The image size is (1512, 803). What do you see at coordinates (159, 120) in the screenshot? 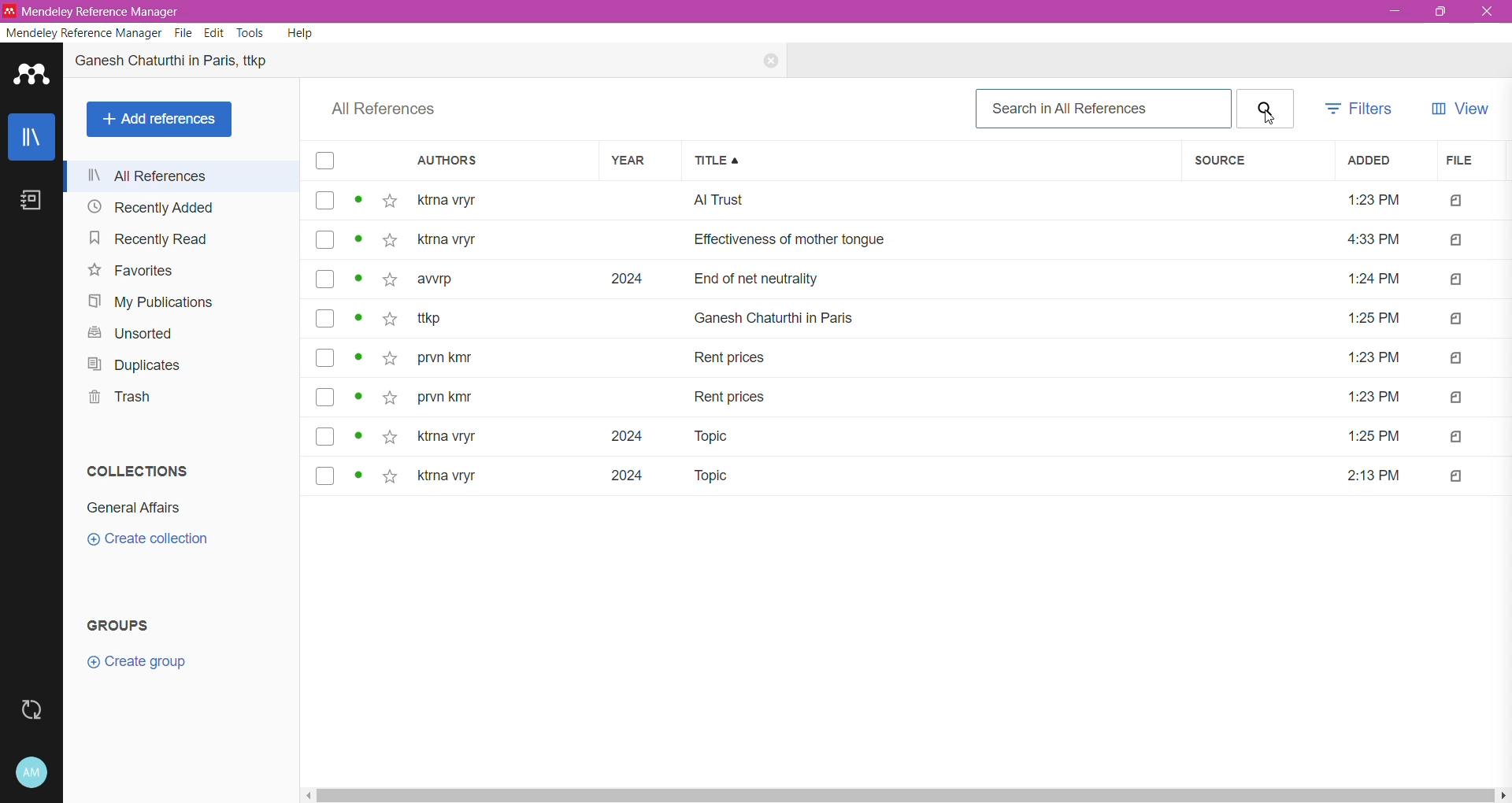
I see `Add References` at bounding box center [159, 120].